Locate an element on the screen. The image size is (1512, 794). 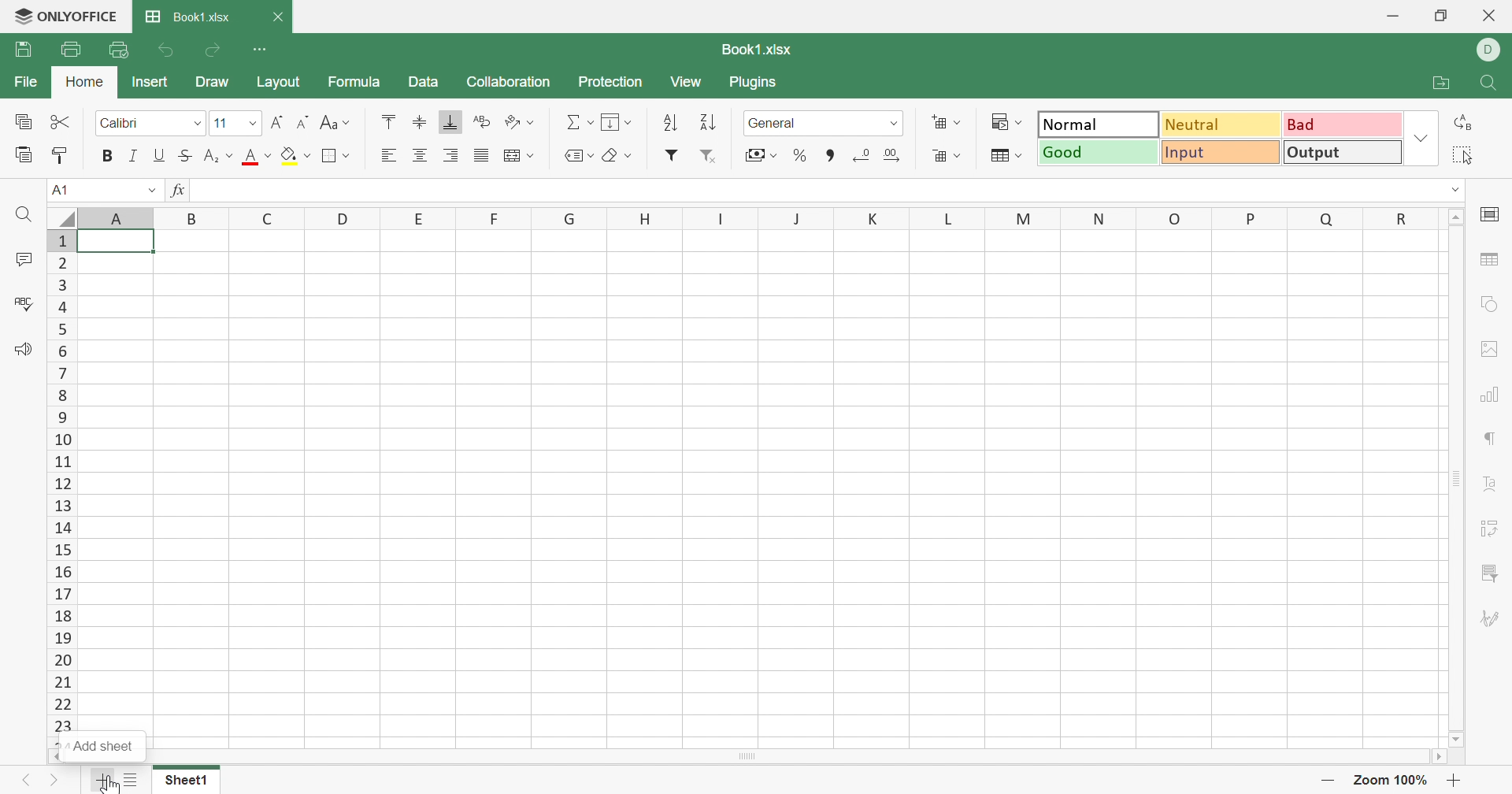
Feedback & Support is located at coordinates (24, 347).